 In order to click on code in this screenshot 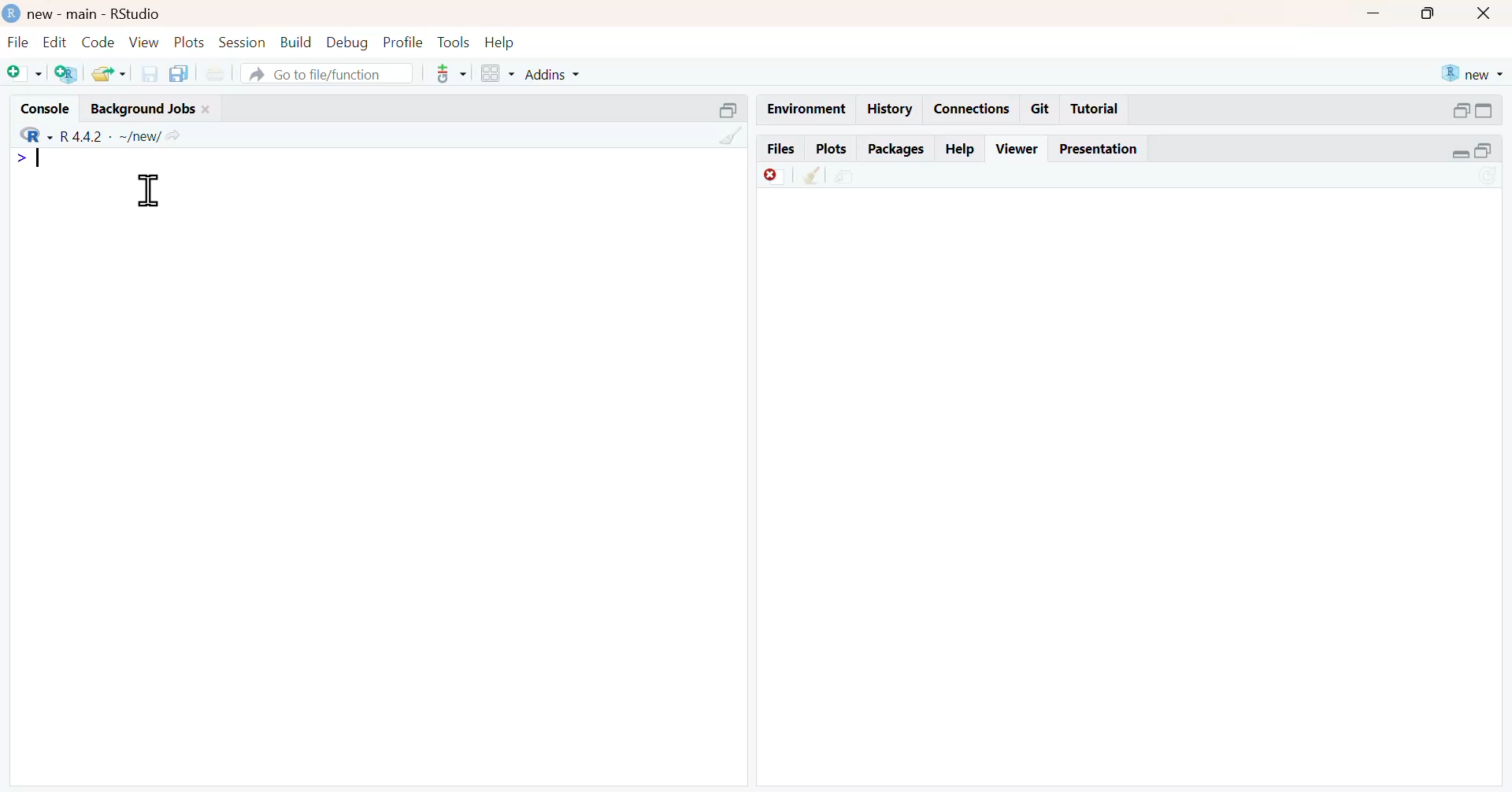, I will do `click(96, 43)`.